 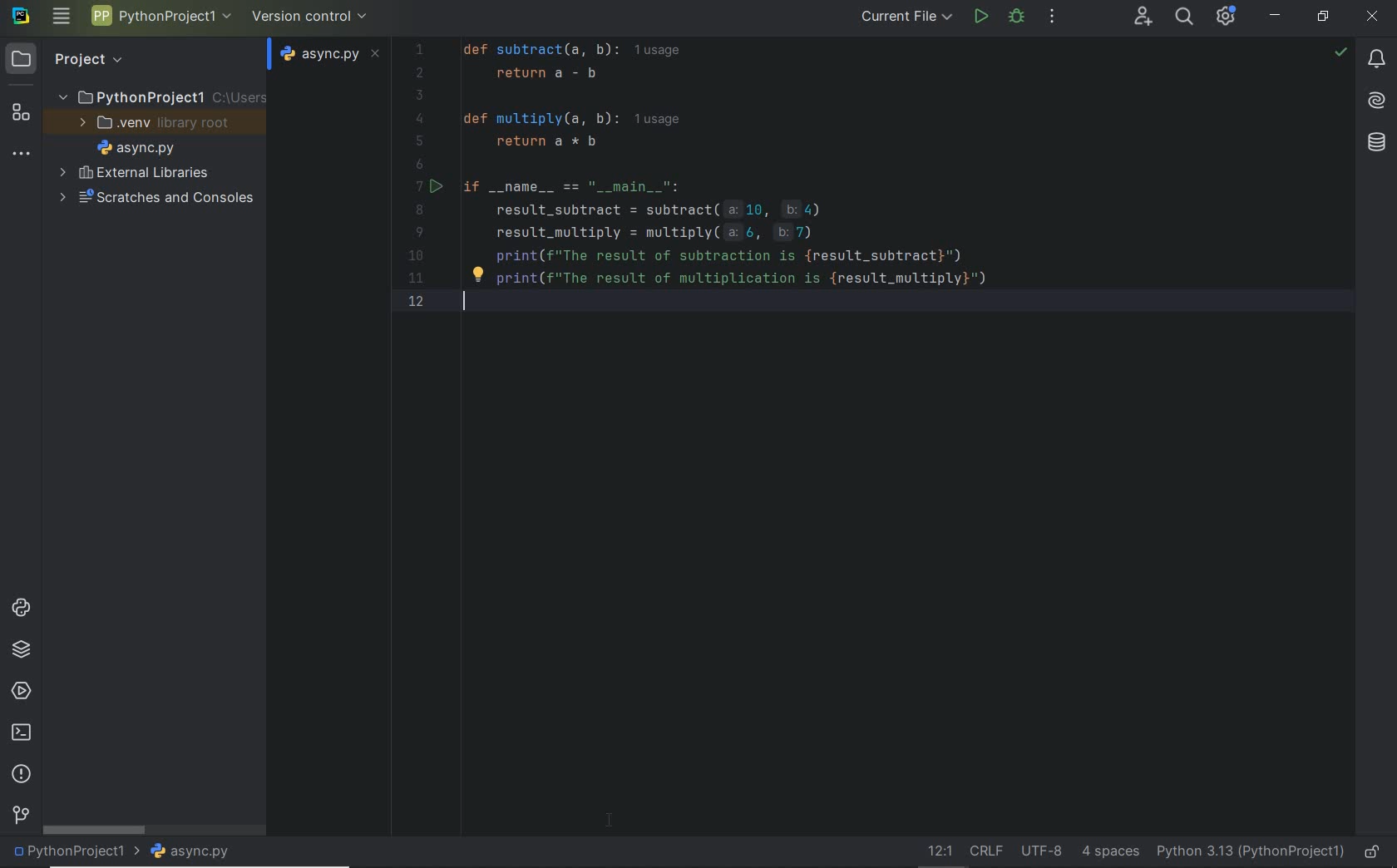 What do you see at coordinates (62, 18) in the screenshot?
I see `main menu` at bounding box center [62, 18].